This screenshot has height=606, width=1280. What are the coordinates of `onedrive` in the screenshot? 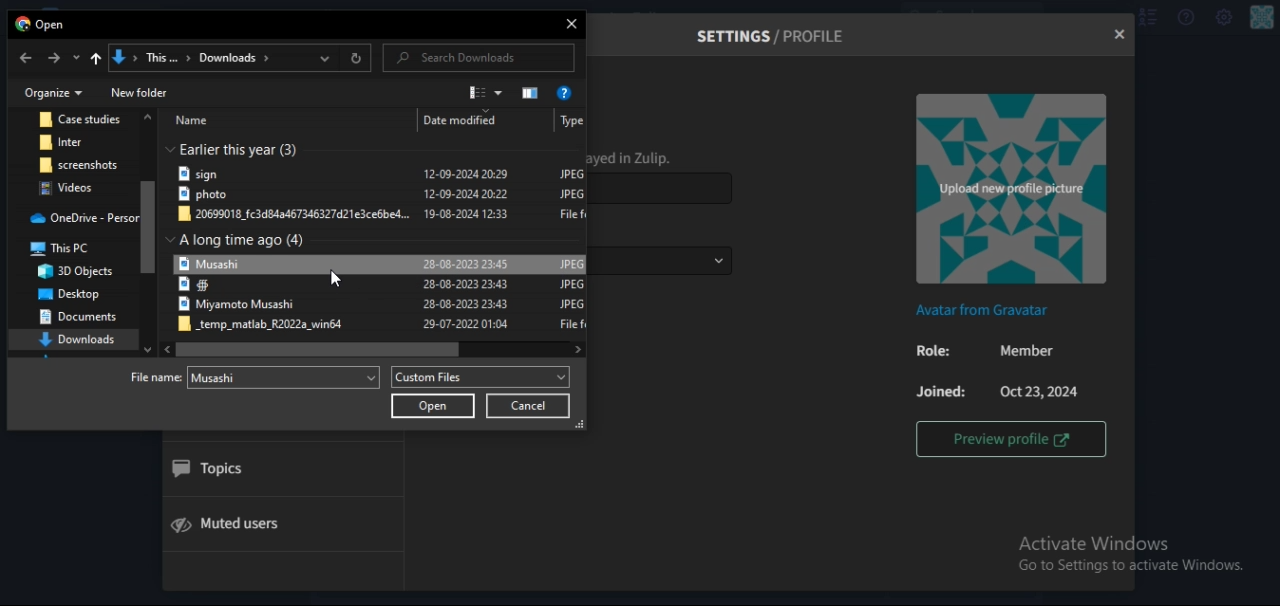 It's located at (84, 219).